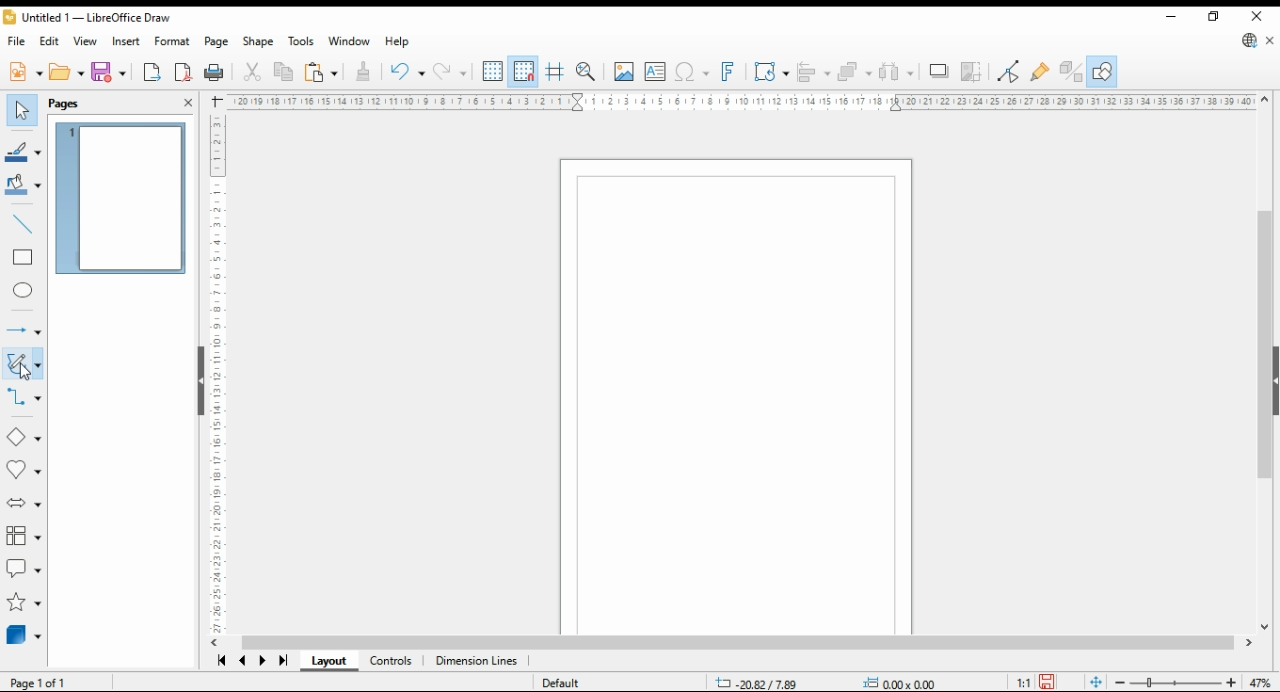  I want to click on save, so click(110, 73).